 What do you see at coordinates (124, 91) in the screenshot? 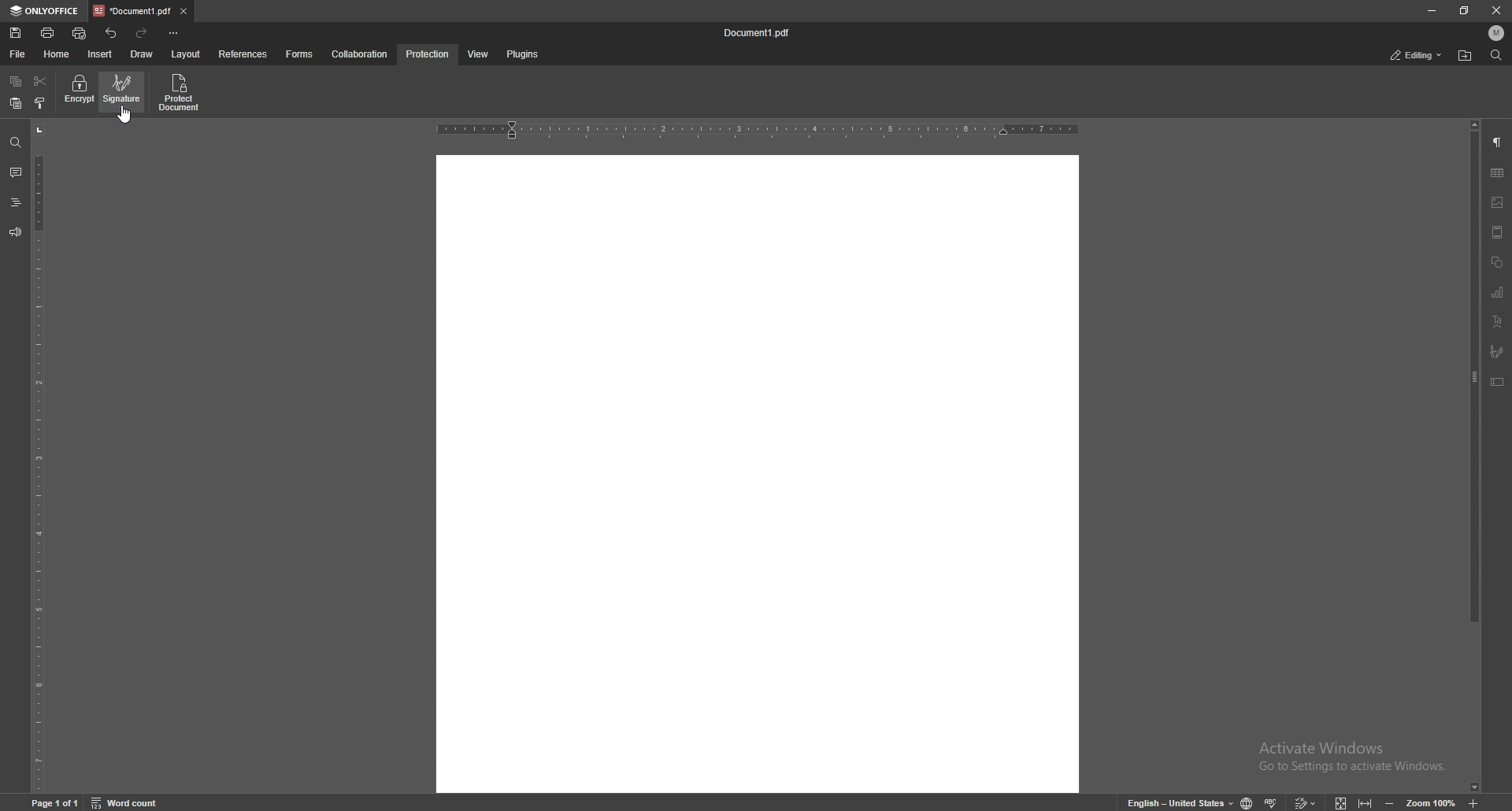
I see `signature` at bounding box center [124, 91].